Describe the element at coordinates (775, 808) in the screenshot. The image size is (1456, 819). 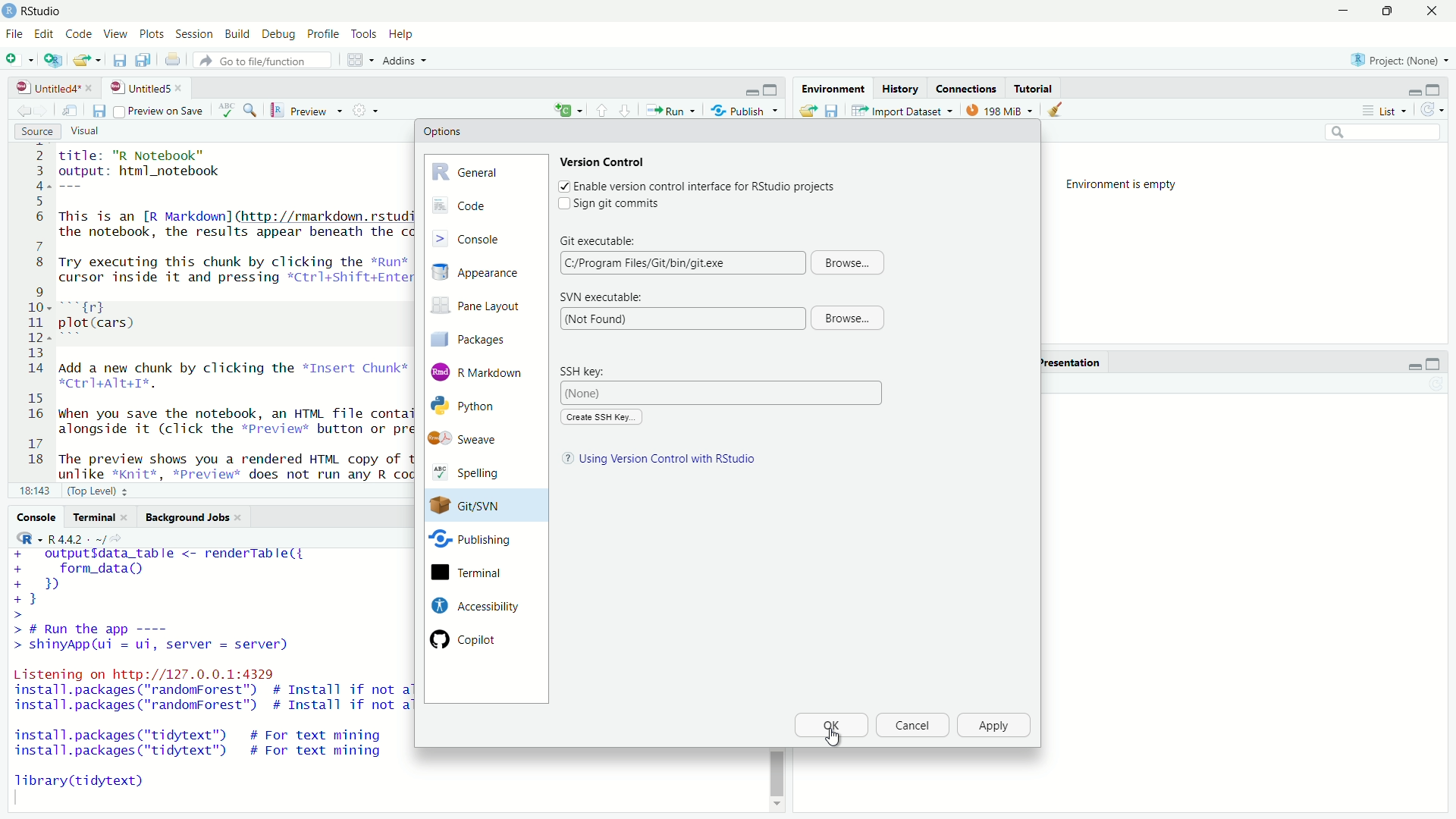
I see `scrollbar down` at that location.